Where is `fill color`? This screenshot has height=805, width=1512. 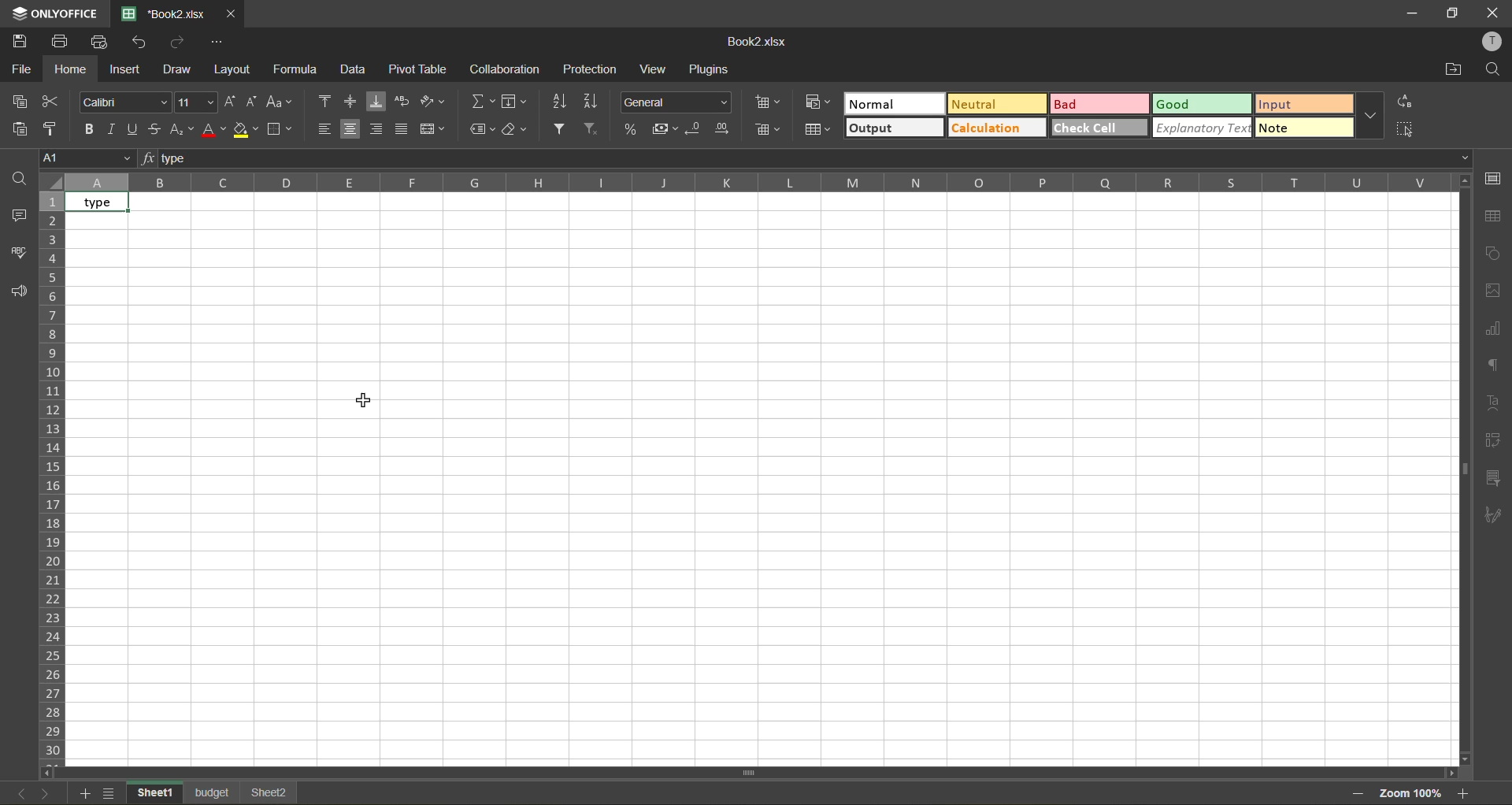
fill color is located at coordinates (247, 130).